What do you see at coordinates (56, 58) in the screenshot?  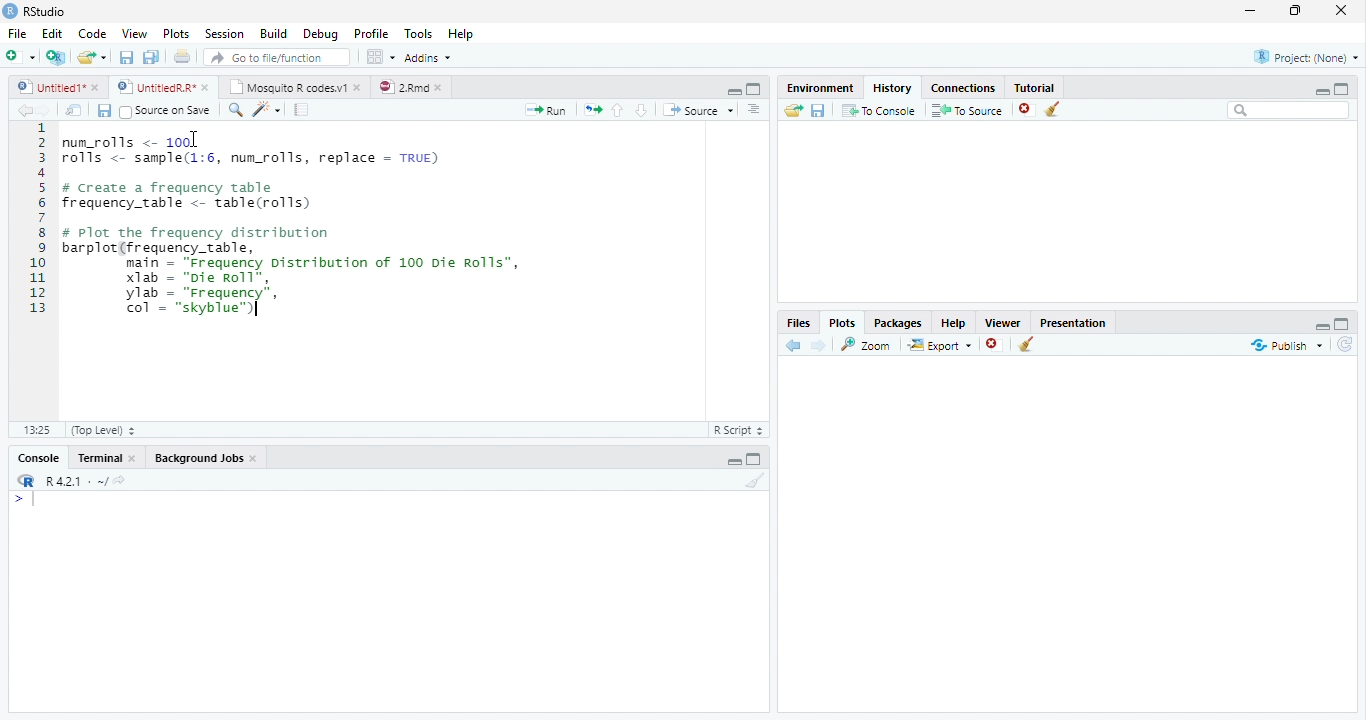 I see `Create Project` at bounding box center [56, 58].